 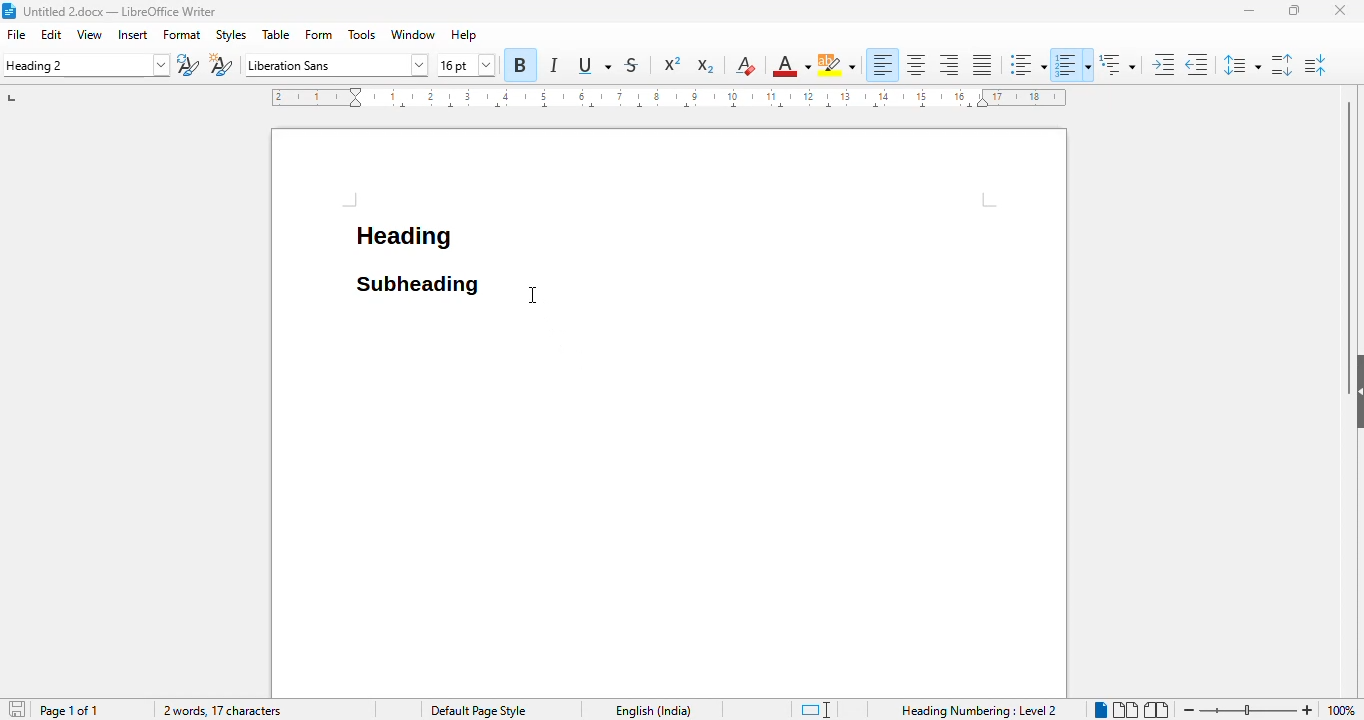 I want to click on click to save document, so click(x=17, y=708).